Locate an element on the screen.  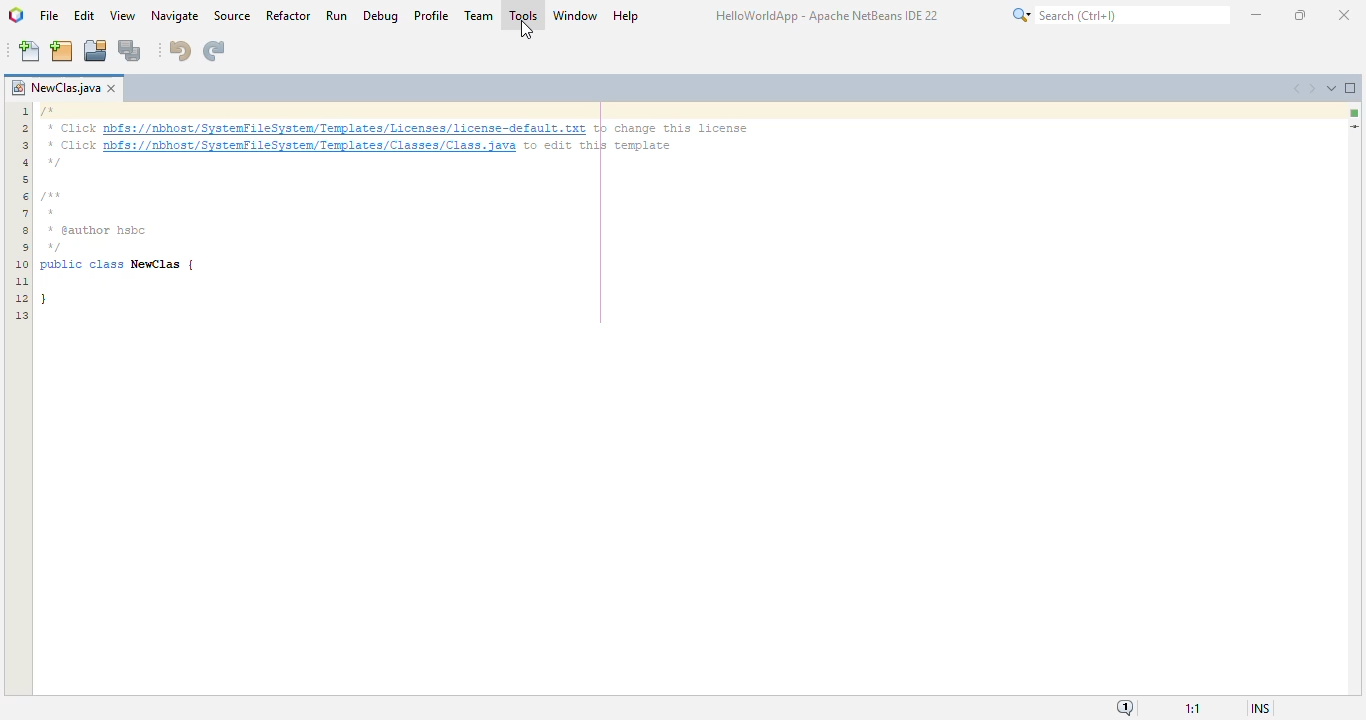
maximize window is located at coordinates (1353, 88).